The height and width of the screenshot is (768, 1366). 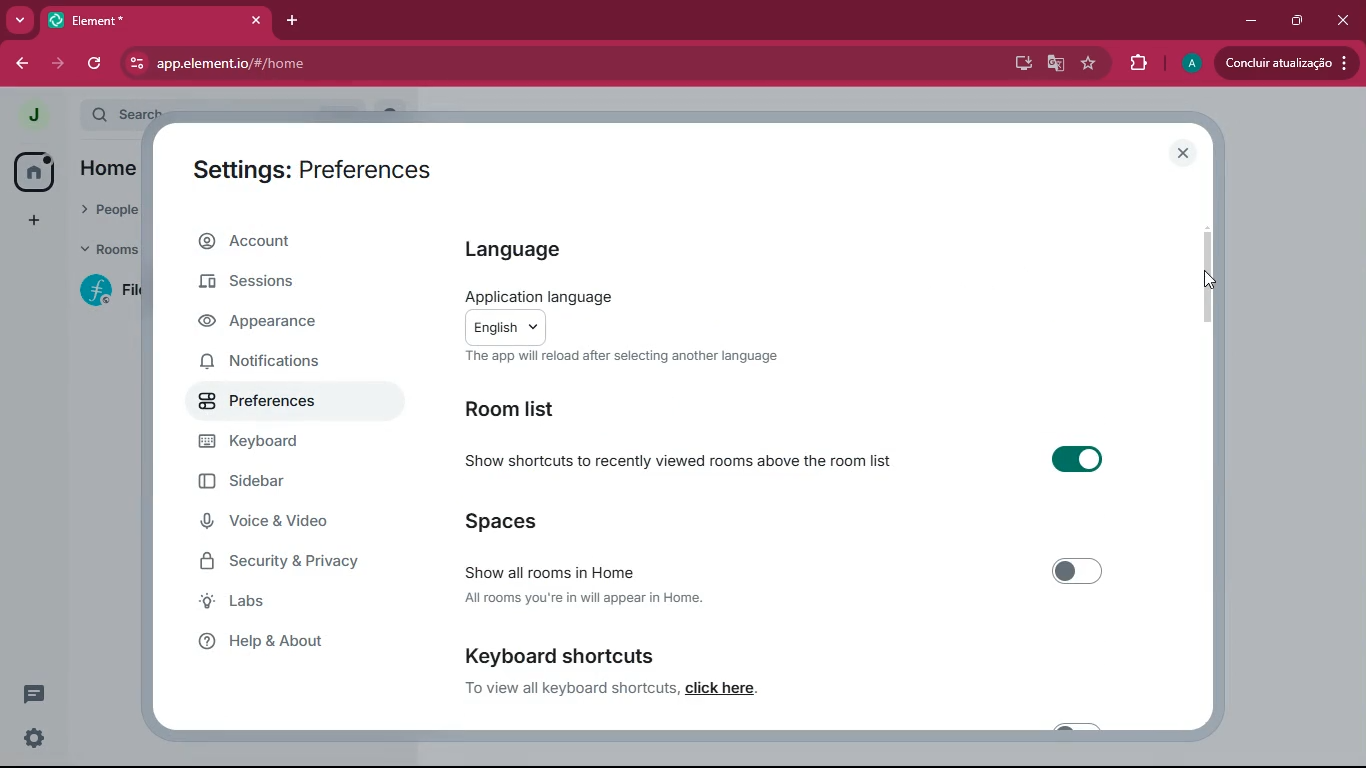 What do you see at coordinates (280, 563) in the screenshot?
I see `security & privacy` at bounding box center [280, 563].